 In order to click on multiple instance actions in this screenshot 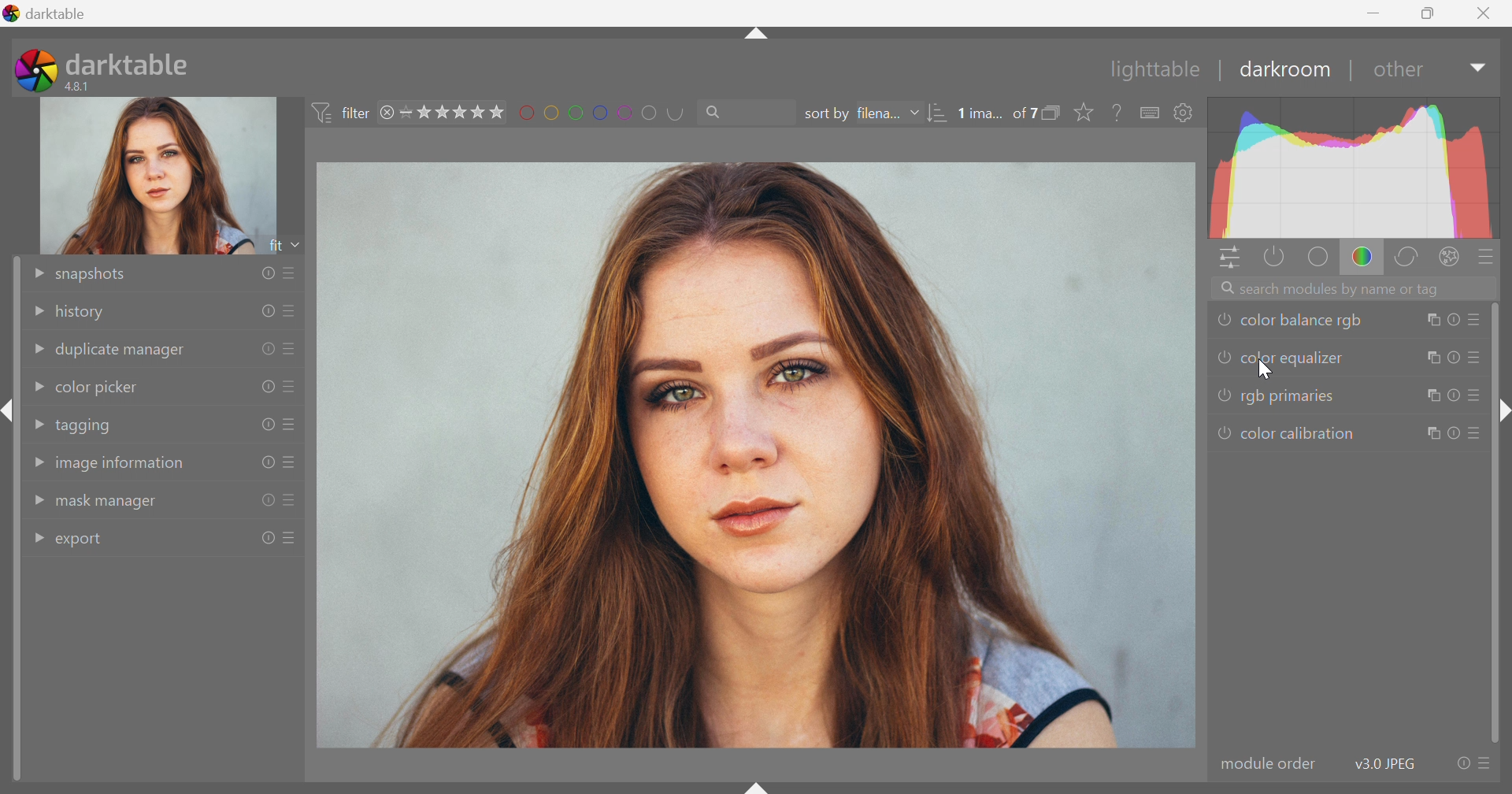, I will do `click(1433, 398)`.